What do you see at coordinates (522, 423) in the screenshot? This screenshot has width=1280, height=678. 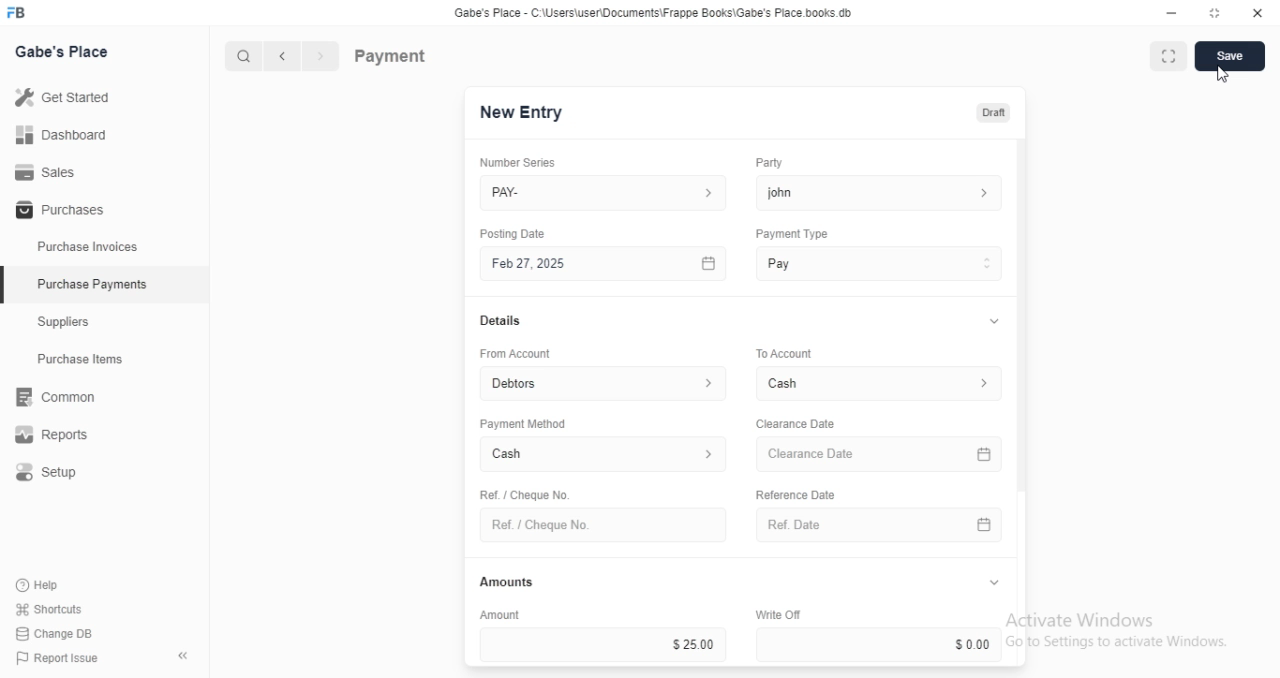 I see `‘Payment Method` at bounding box center [522, 423].